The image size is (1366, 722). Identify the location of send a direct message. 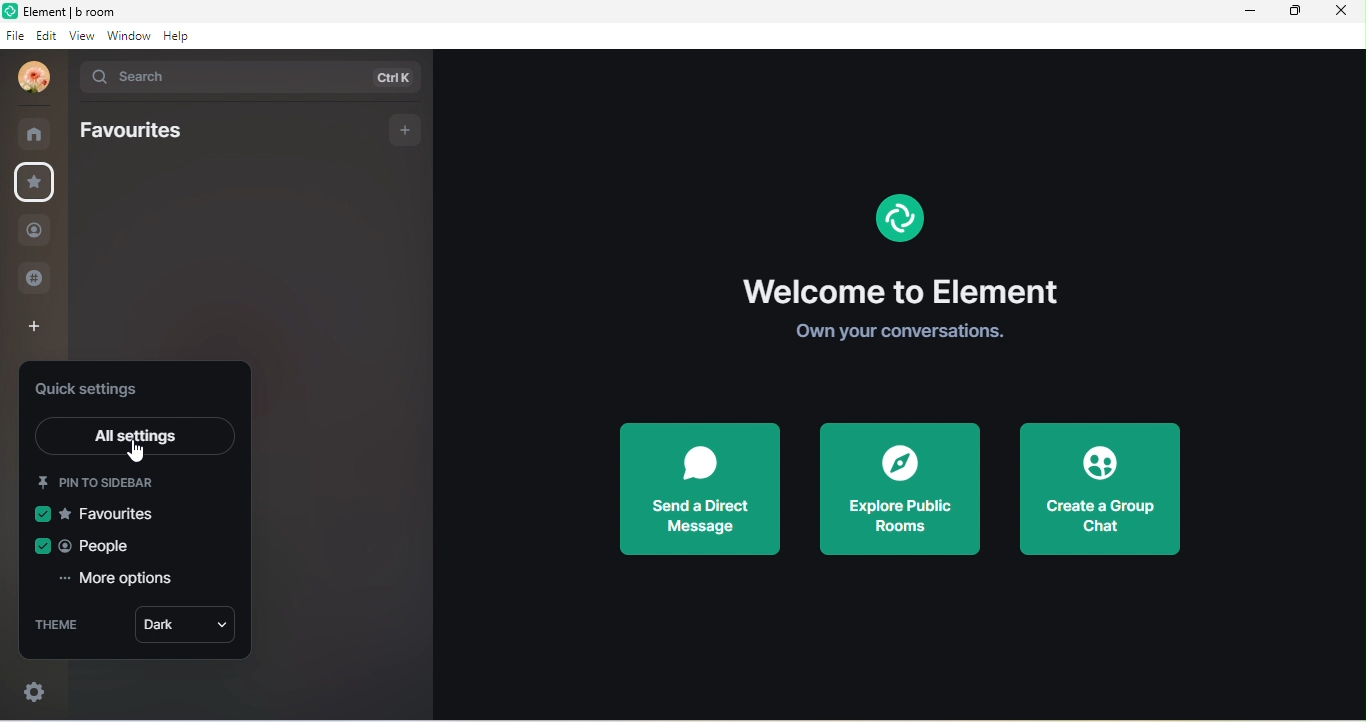
(697, 490).